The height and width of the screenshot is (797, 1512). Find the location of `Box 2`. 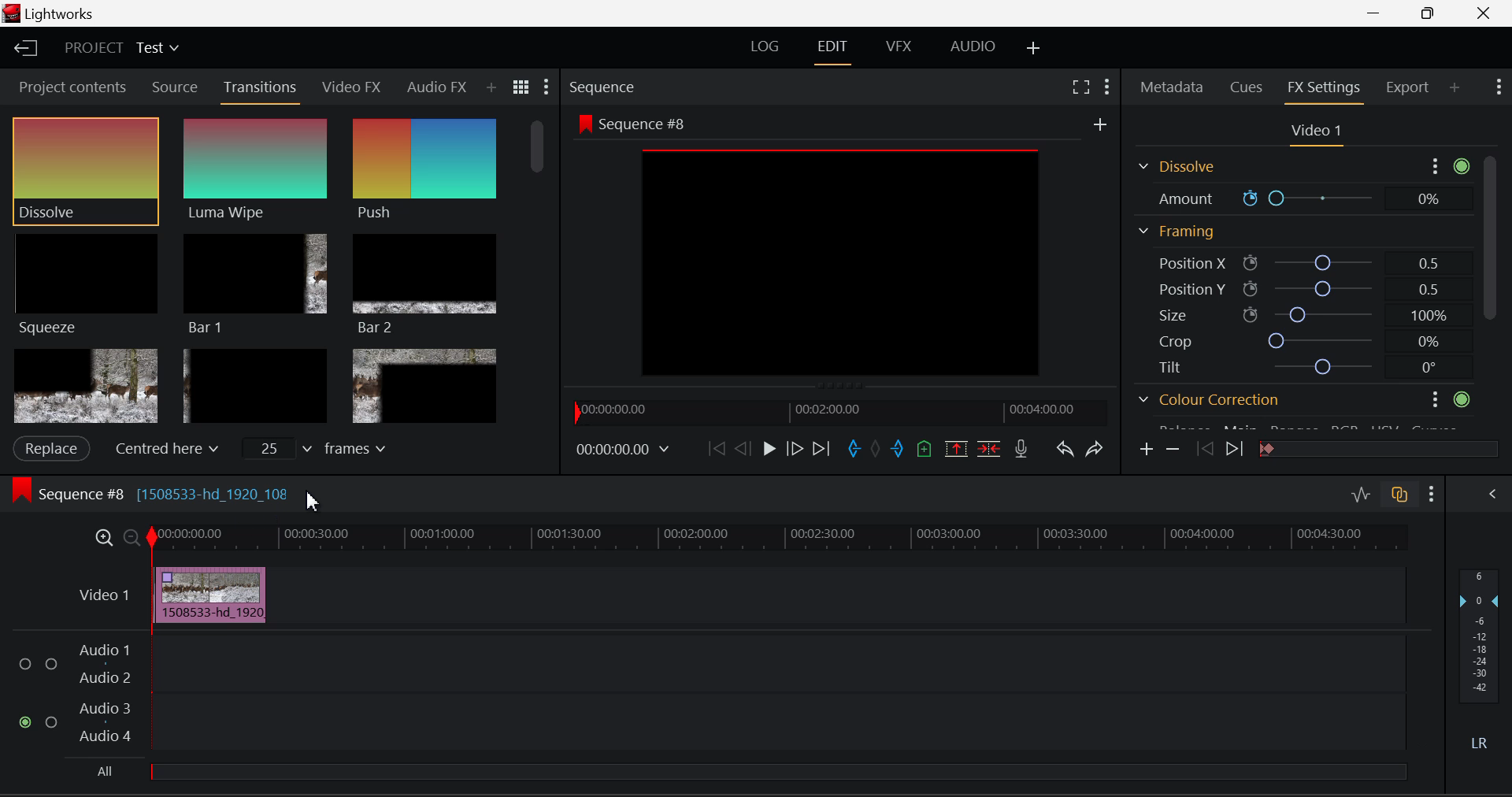

Box 2 is located at coordinates (254, 384).